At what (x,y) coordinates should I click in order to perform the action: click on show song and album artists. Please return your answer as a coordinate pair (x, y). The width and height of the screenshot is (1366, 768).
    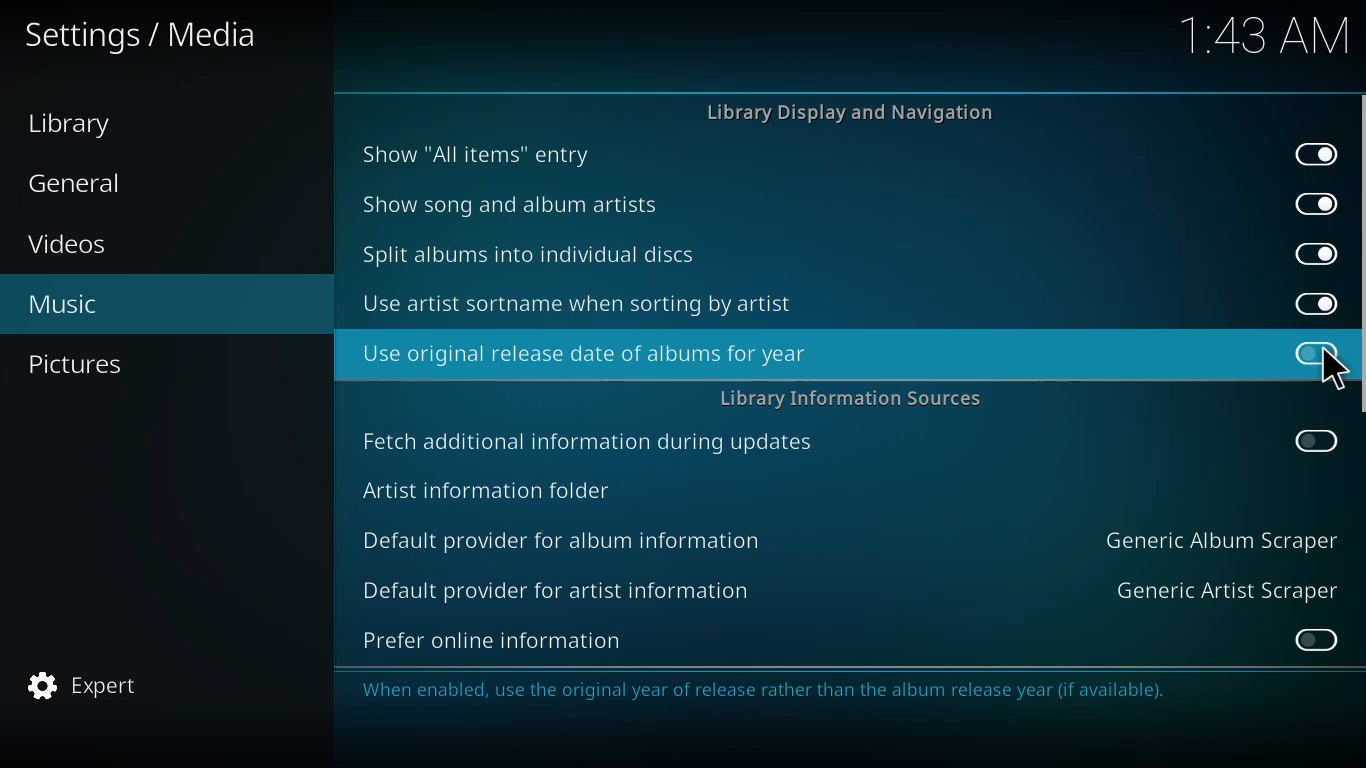
    Looking at the image, I should click on (512, 204).